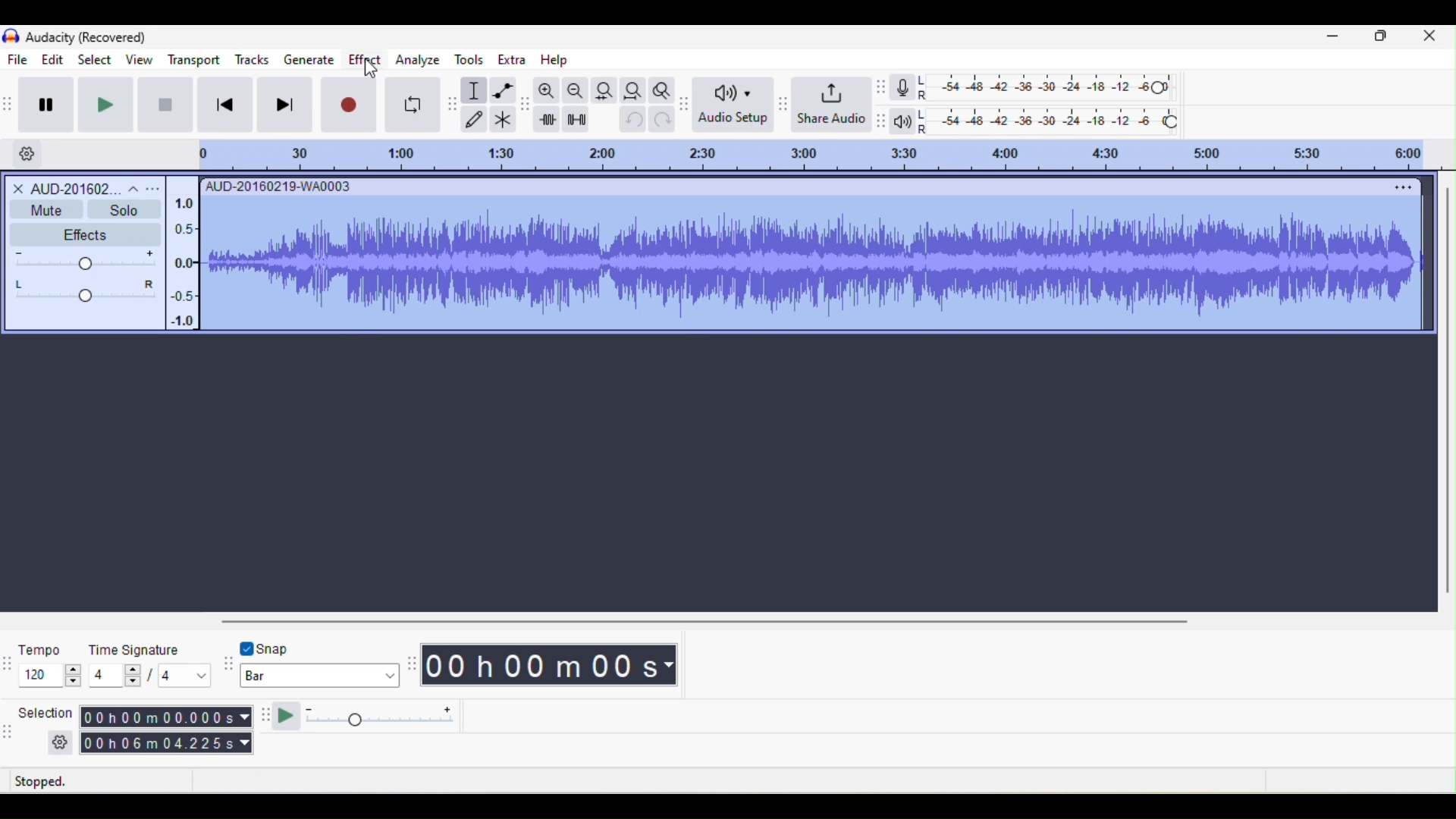 This screenshot has width=1456, height=819. What do you see at coordinates (49, 663) in the screenshot?
I see `tempo` at bounding box center [49, 663].